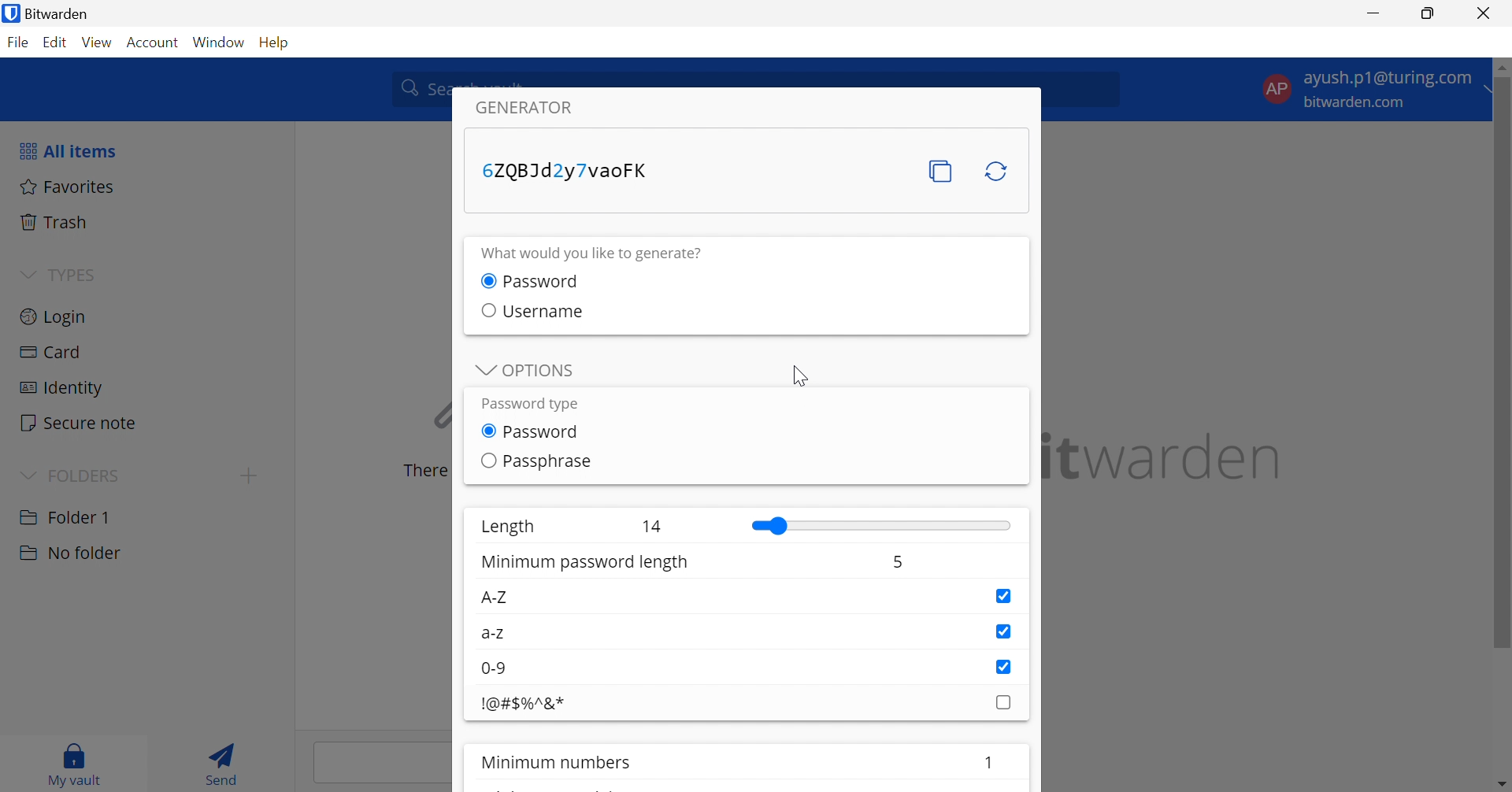 This screenshot has width=1512, height=792. Describe the element at coordinates (881, 526) in the screenshot. I see `Slider` at that location.